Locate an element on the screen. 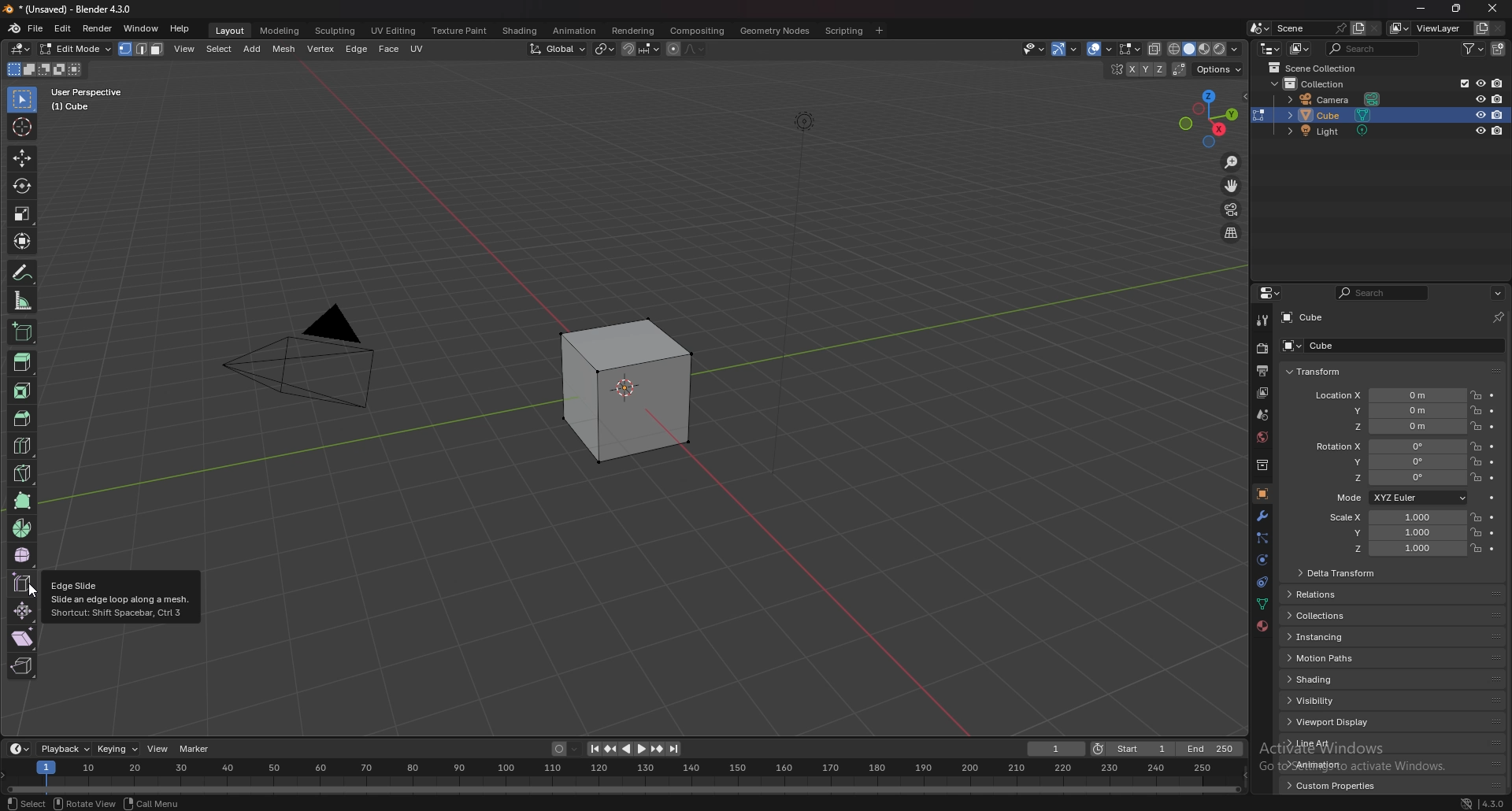 The width and height of the screenshot is (1512, 811). rendering is located at coordinates (634, 31).